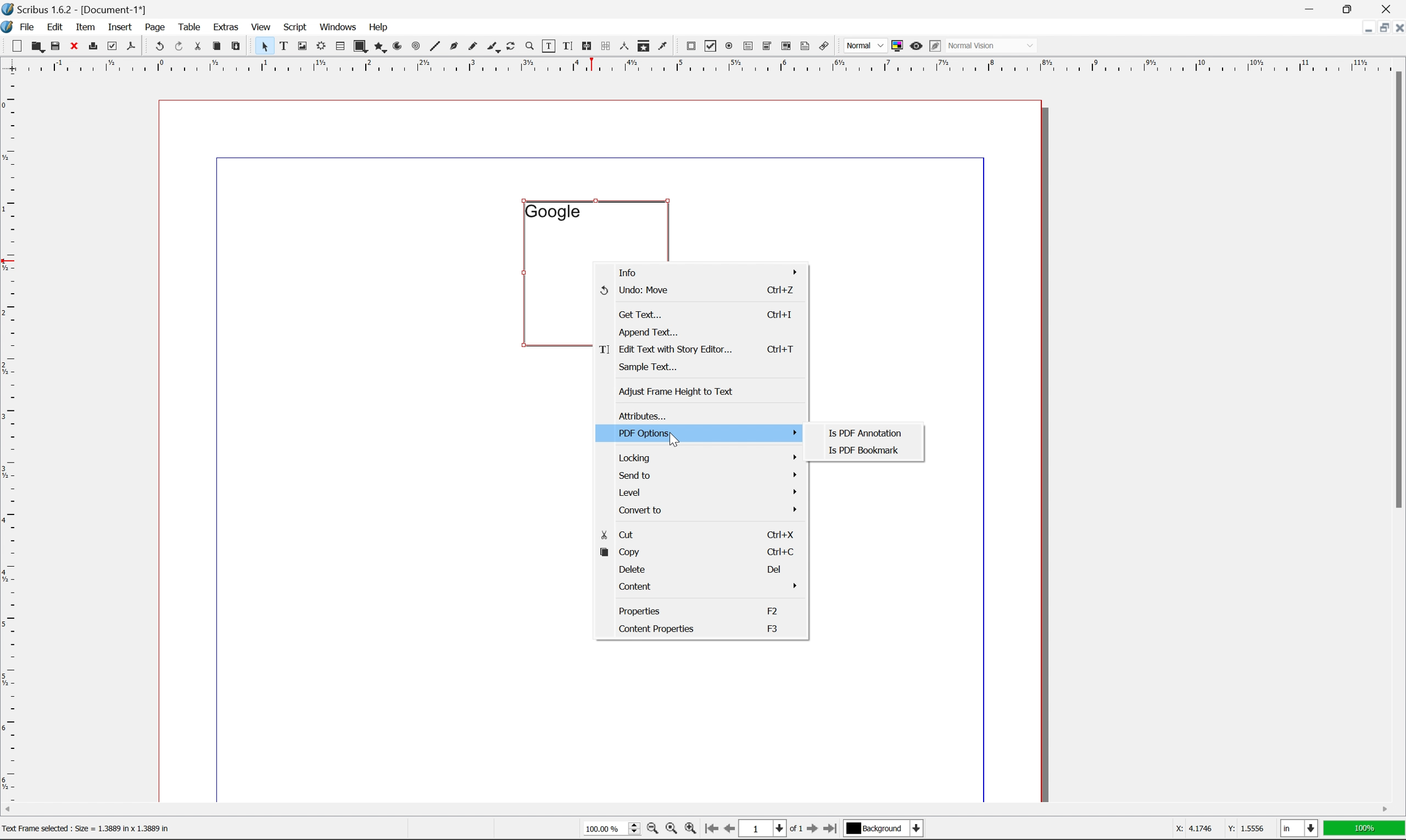 The image size is (1406, 840). What do you see at coordinates (612, 827) in the screenshot?
I see `select current zoom level` at bounding box center [612, 827].